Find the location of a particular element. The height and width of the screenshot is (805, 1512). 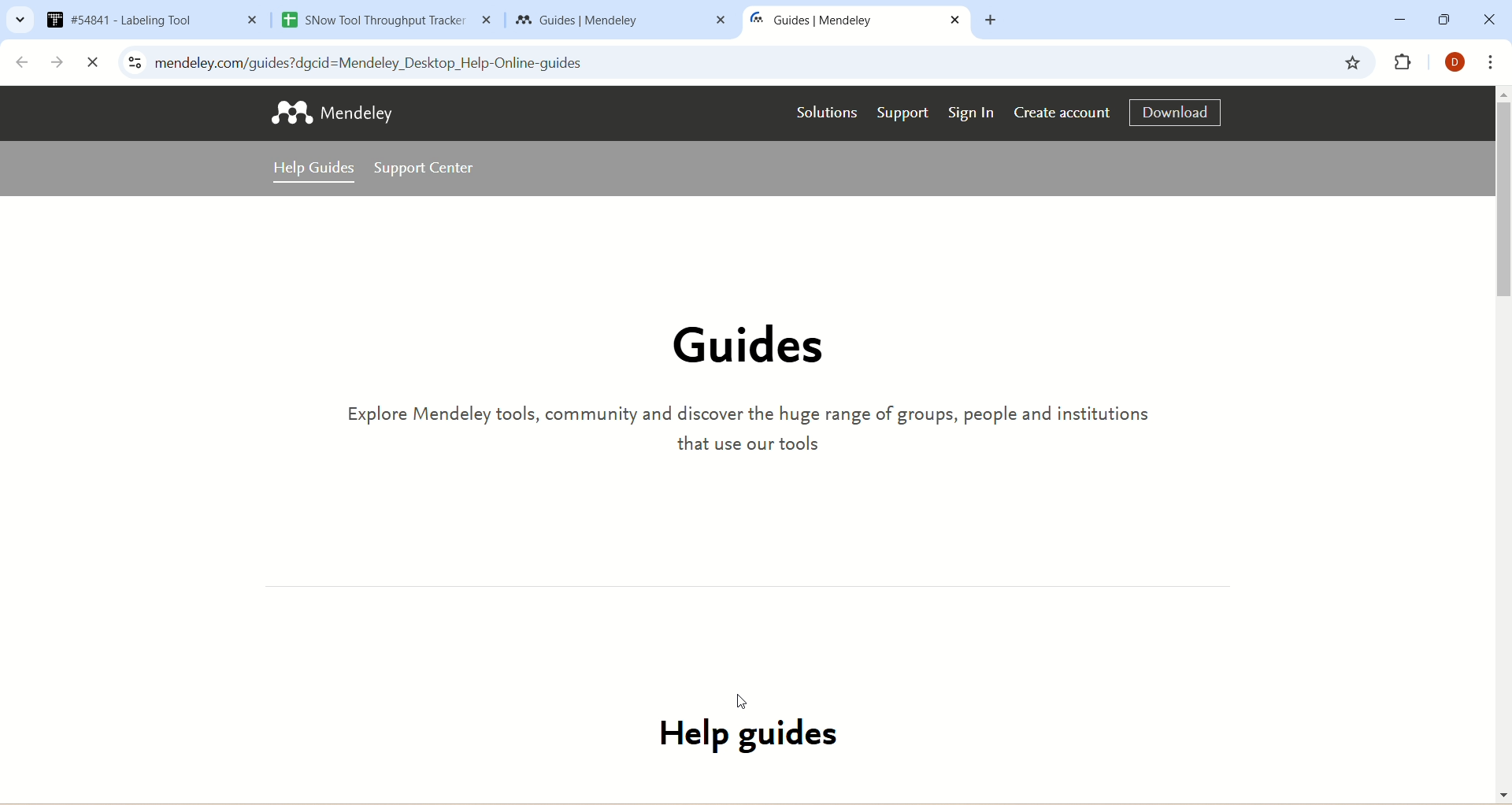

support is located at coordinates (903, 112).